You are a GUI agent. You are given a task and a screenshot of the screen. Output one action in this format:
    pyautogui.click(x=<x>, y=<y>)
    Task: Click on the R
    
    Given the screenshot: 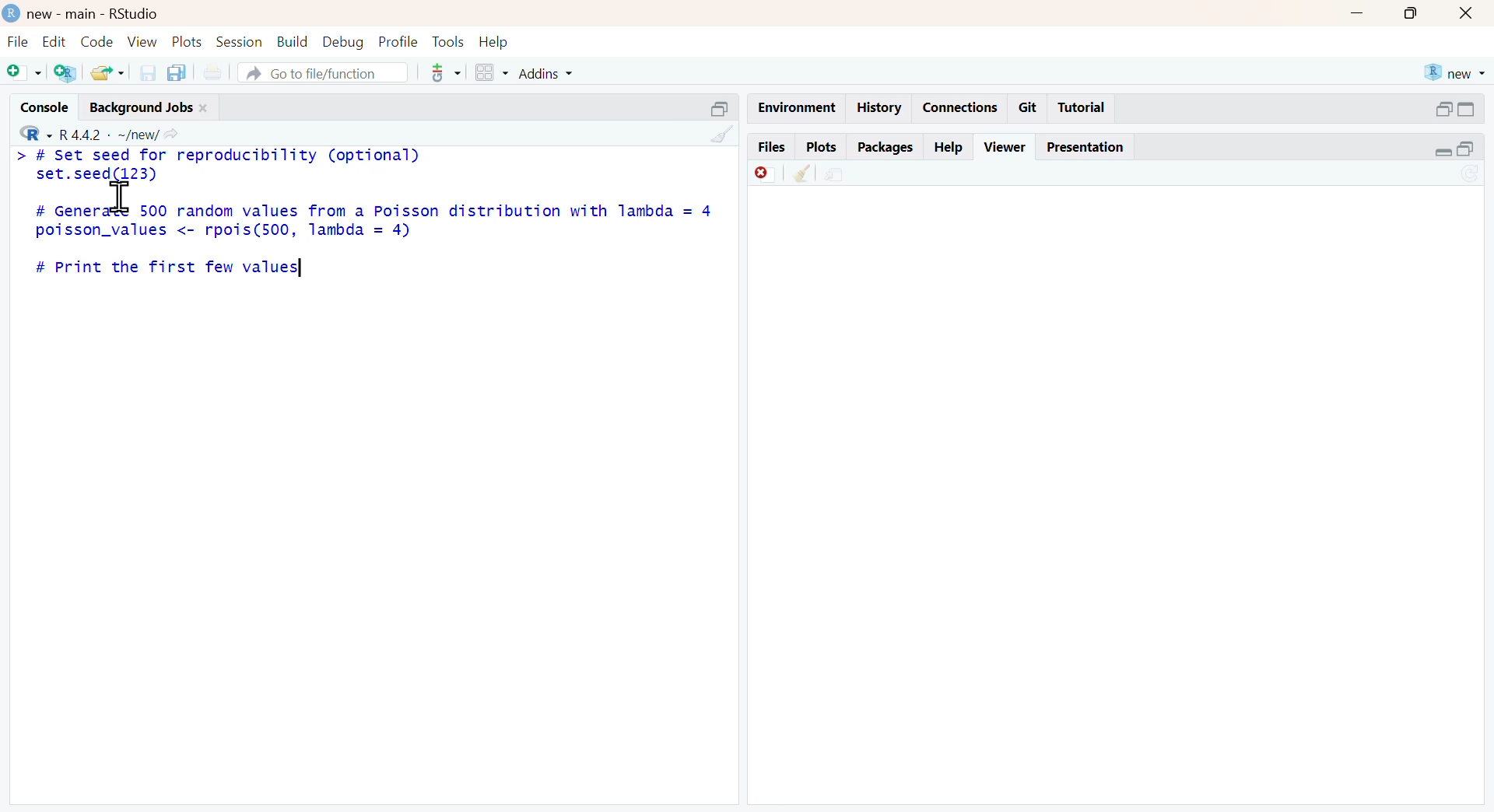 What is the action you would take?
    pyautogui.click(x=37, y=132)
    